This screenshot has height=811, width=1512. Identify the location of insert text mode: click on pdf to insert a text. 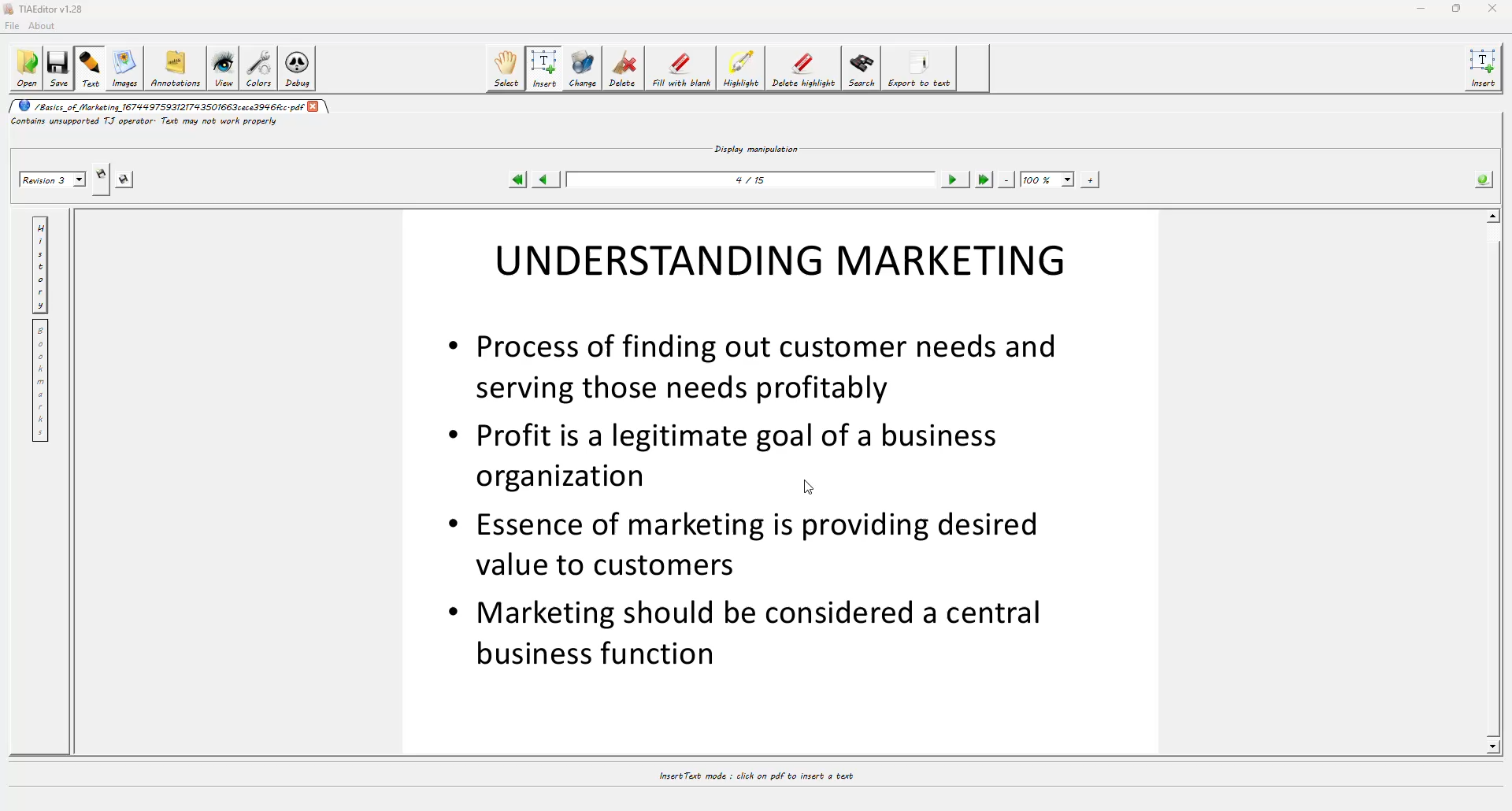
(754, 776).